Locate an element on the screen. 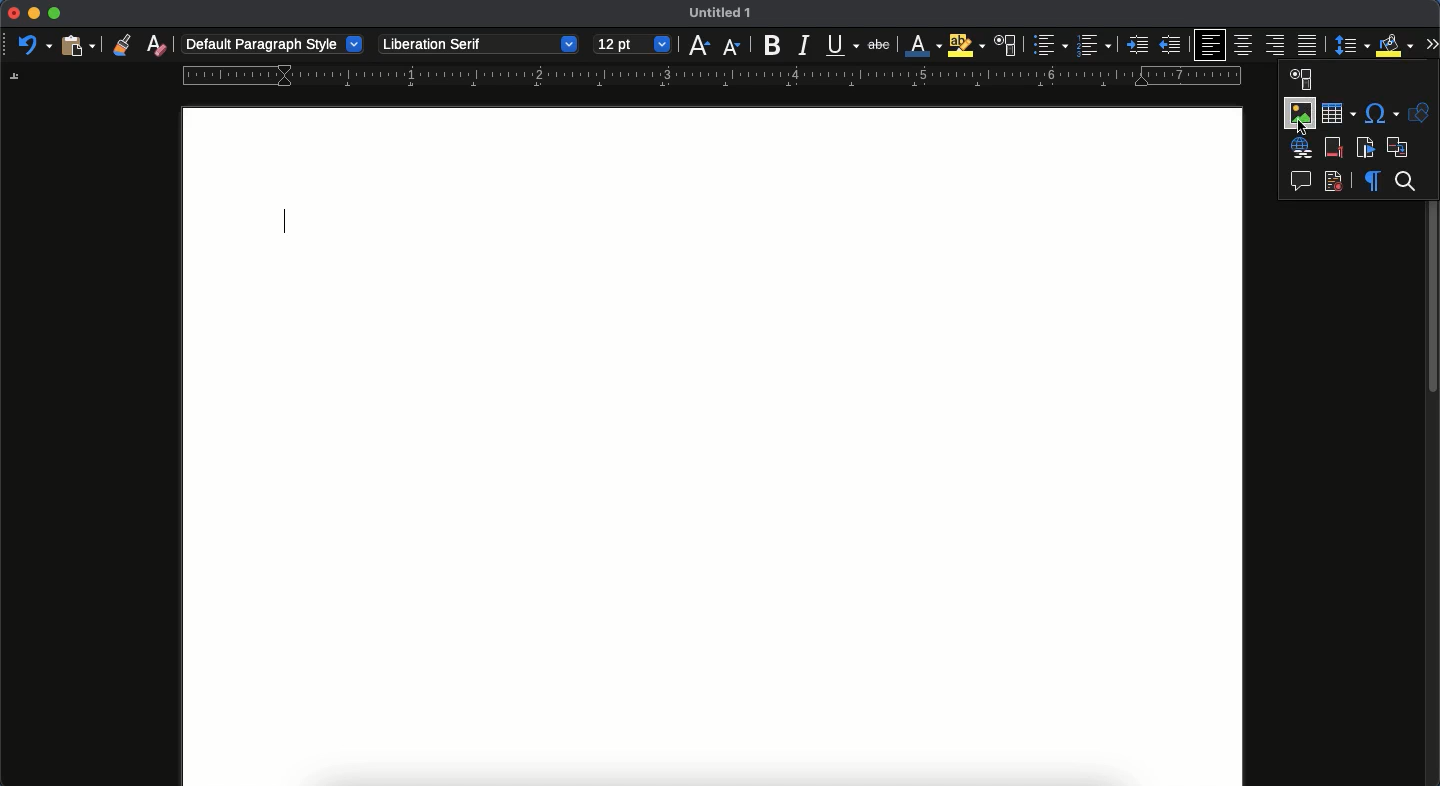 The image size is (1440, 786). close is located at coordinates (11, 12).